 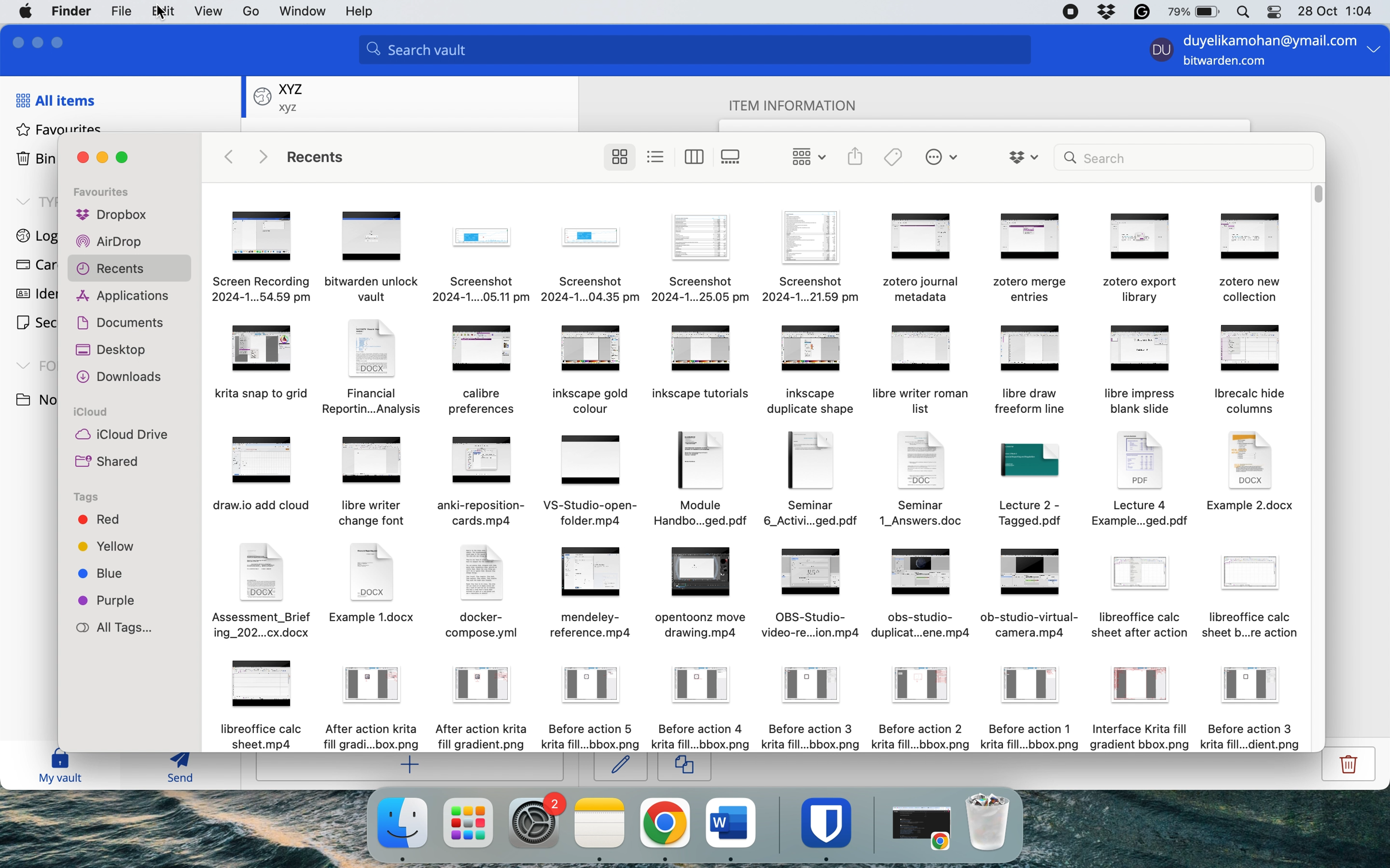 I want to click on shared, so click(x=111, y=463).